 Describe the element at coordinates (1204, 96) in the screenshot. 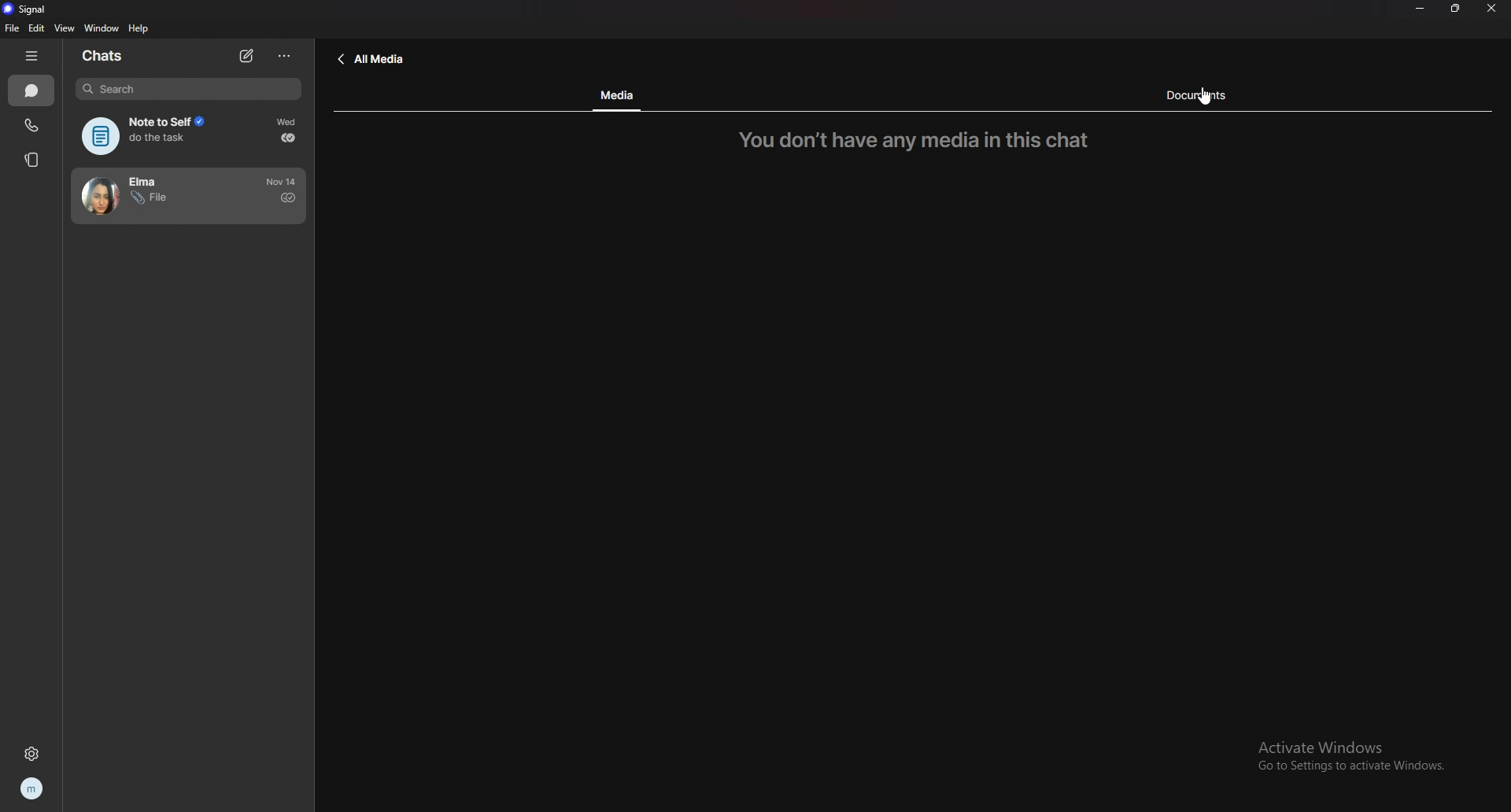

I see `cursor` at that location.